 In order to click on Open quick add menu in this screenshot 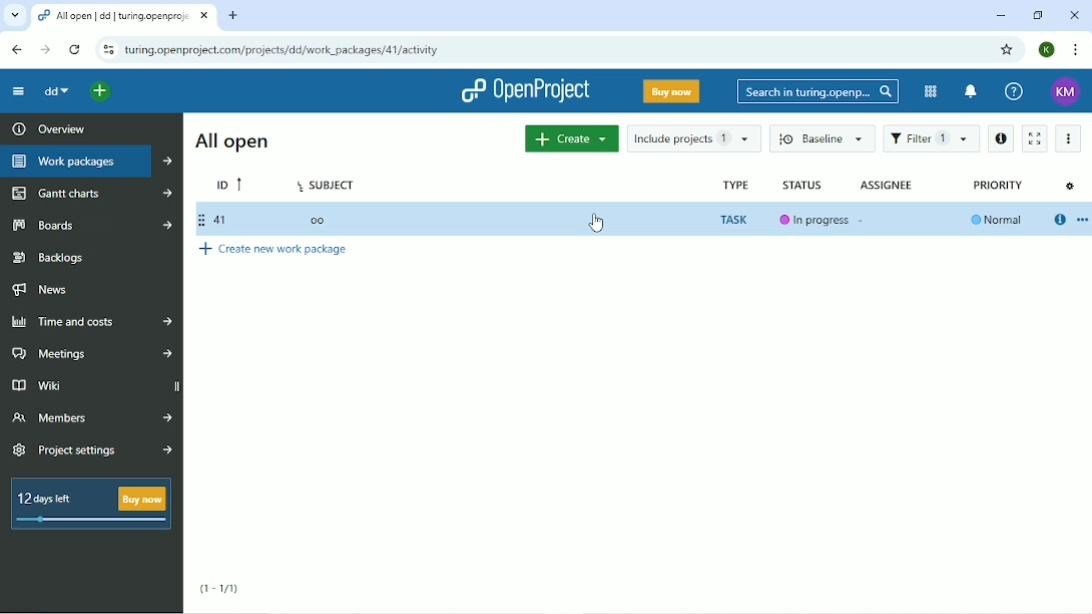, I will do `click(102, 92)`.